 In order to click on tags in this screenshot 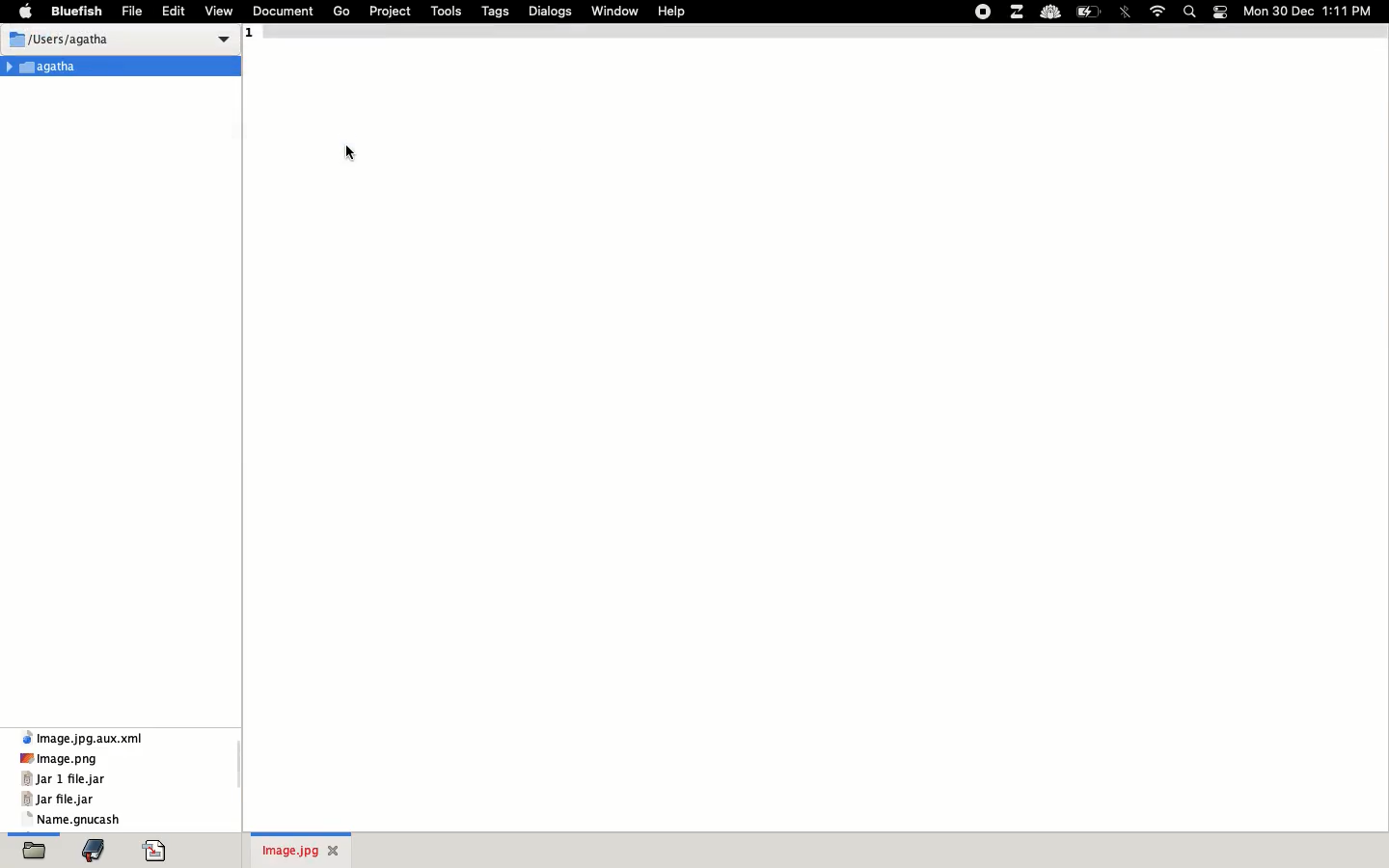, I will do `click(497, 11)`.